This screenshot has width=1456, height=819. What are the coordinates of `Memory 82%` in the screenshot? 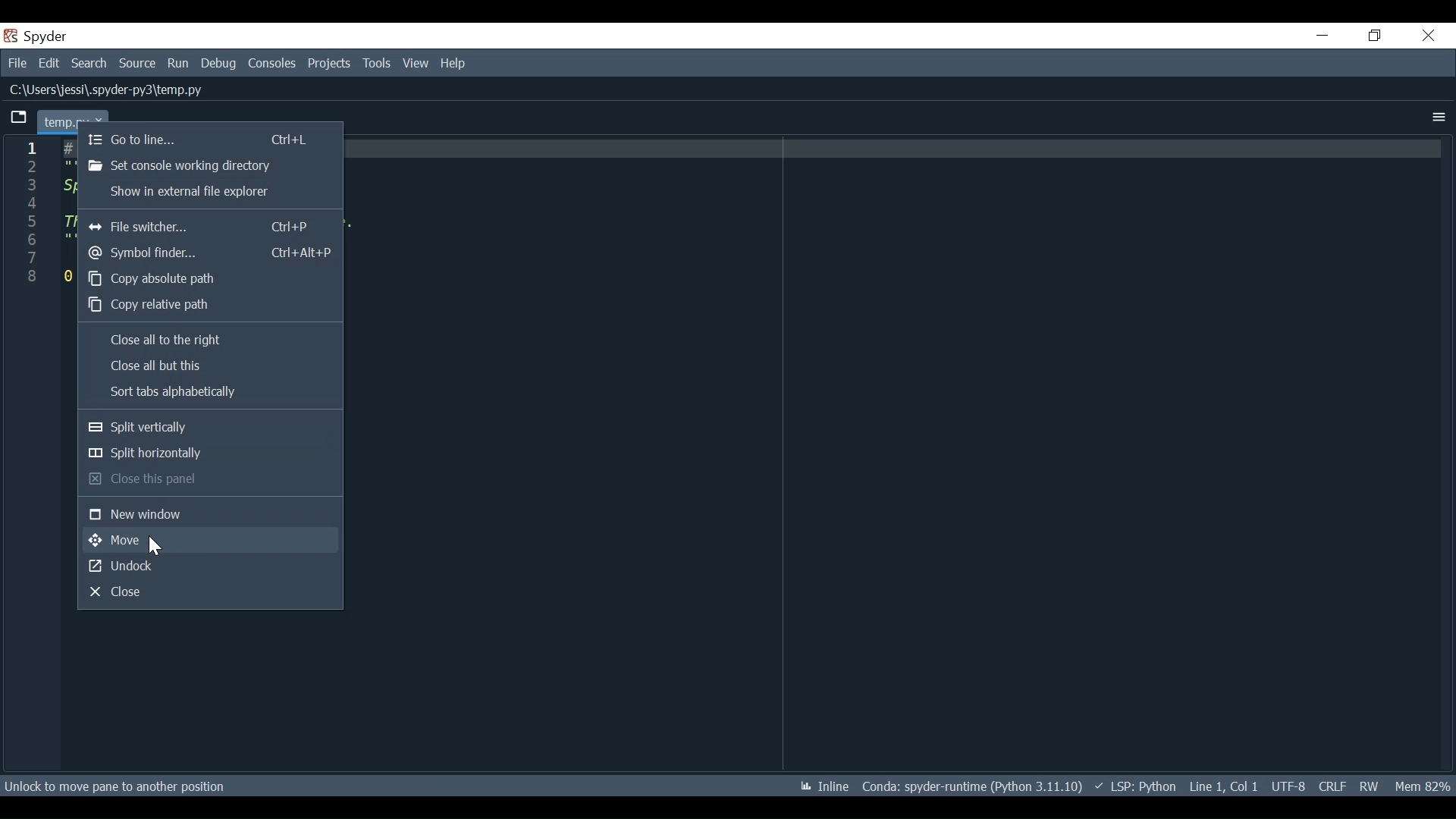 It's located at (1422, 785).